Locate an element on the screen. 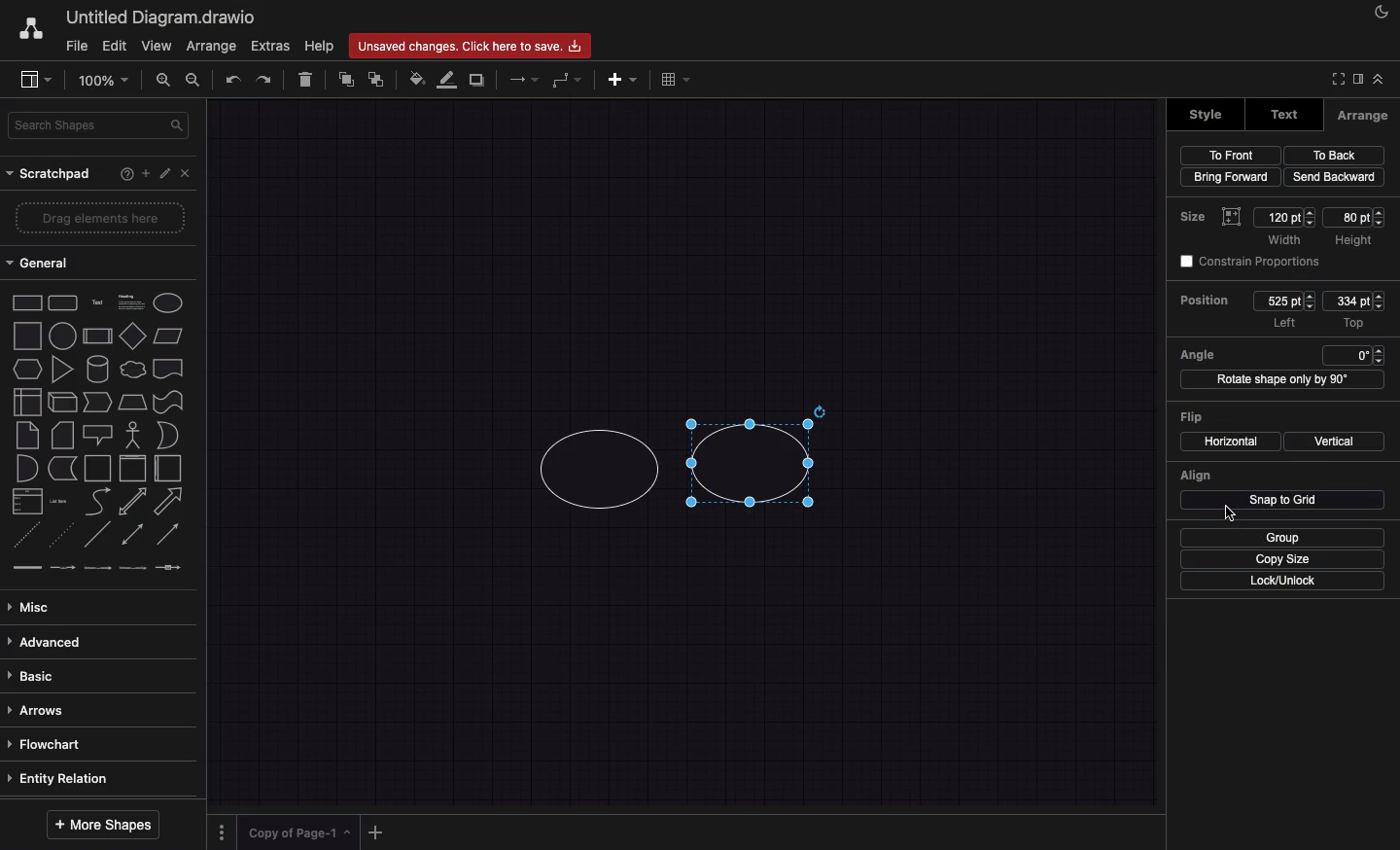 The image size is (1400, 850). basic is located at coordinates (93, 679).